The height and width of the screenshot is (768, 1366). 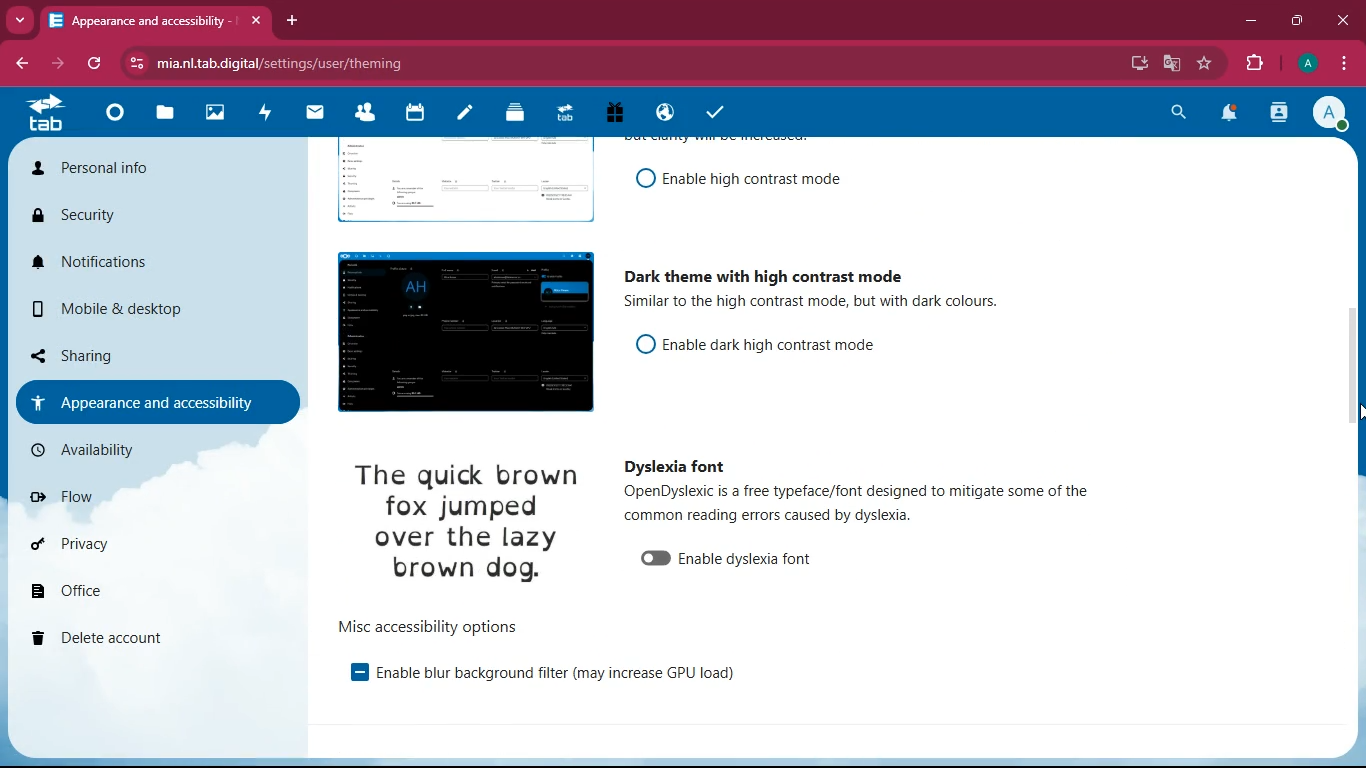 I want to click on notifications, so click(x=1232, y=114).